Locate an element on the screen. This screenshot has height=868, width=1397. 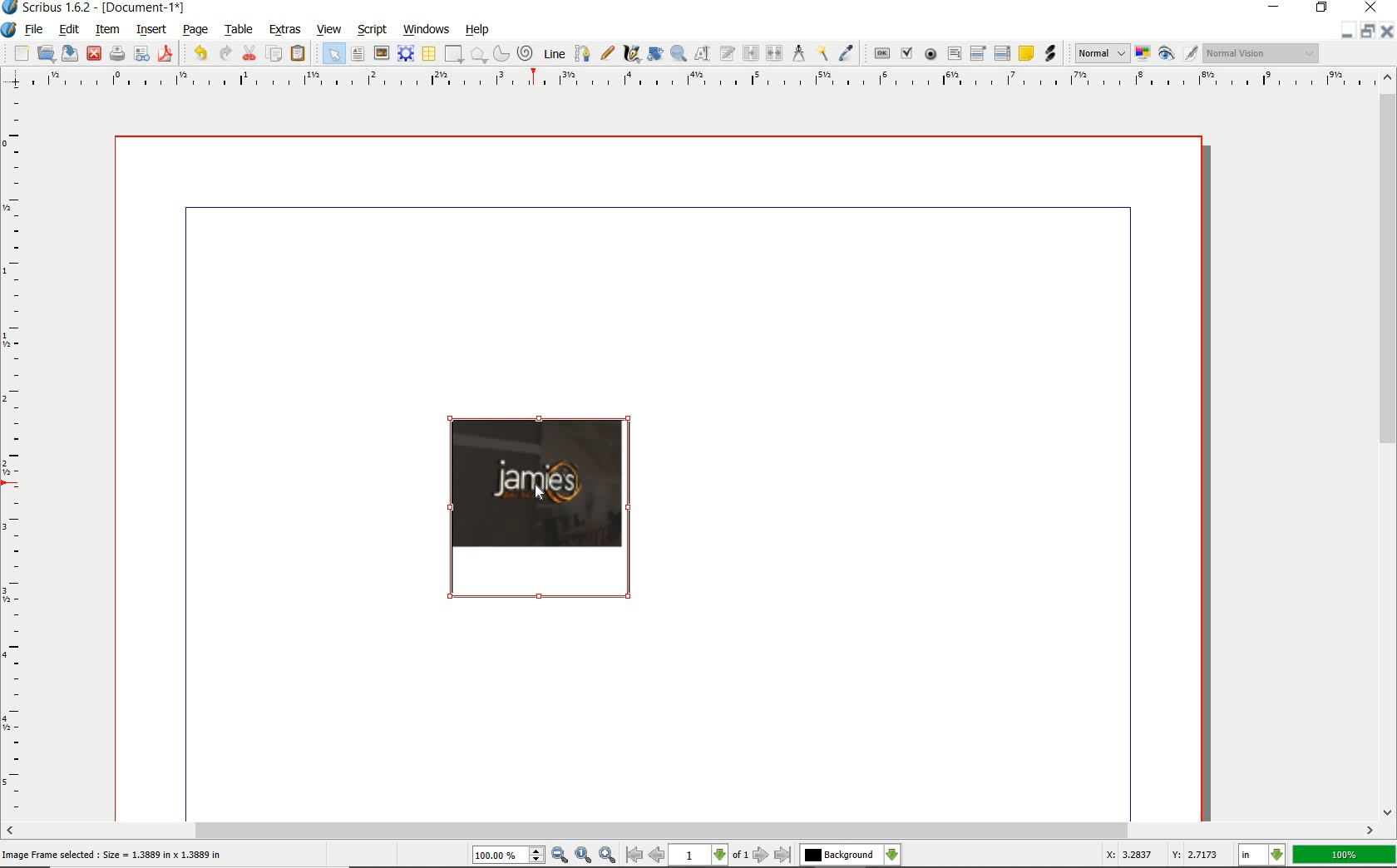
cursor is located at coordinates (541, 495).